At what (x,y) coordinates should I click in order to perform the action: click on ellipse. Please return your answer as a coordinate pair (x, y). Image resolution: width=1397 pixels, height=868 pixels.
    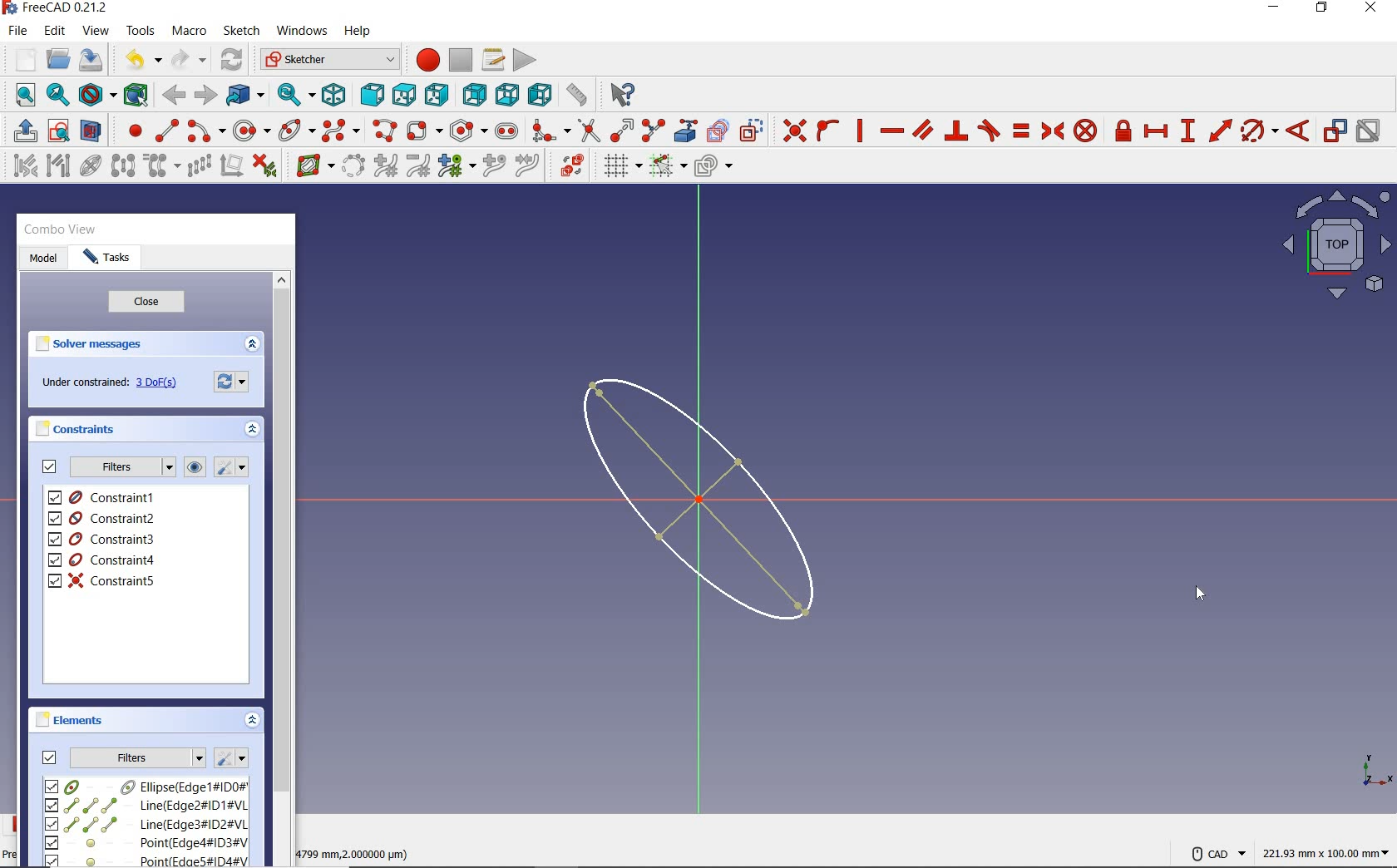
    Looking at the image, I should click on (296, 129).